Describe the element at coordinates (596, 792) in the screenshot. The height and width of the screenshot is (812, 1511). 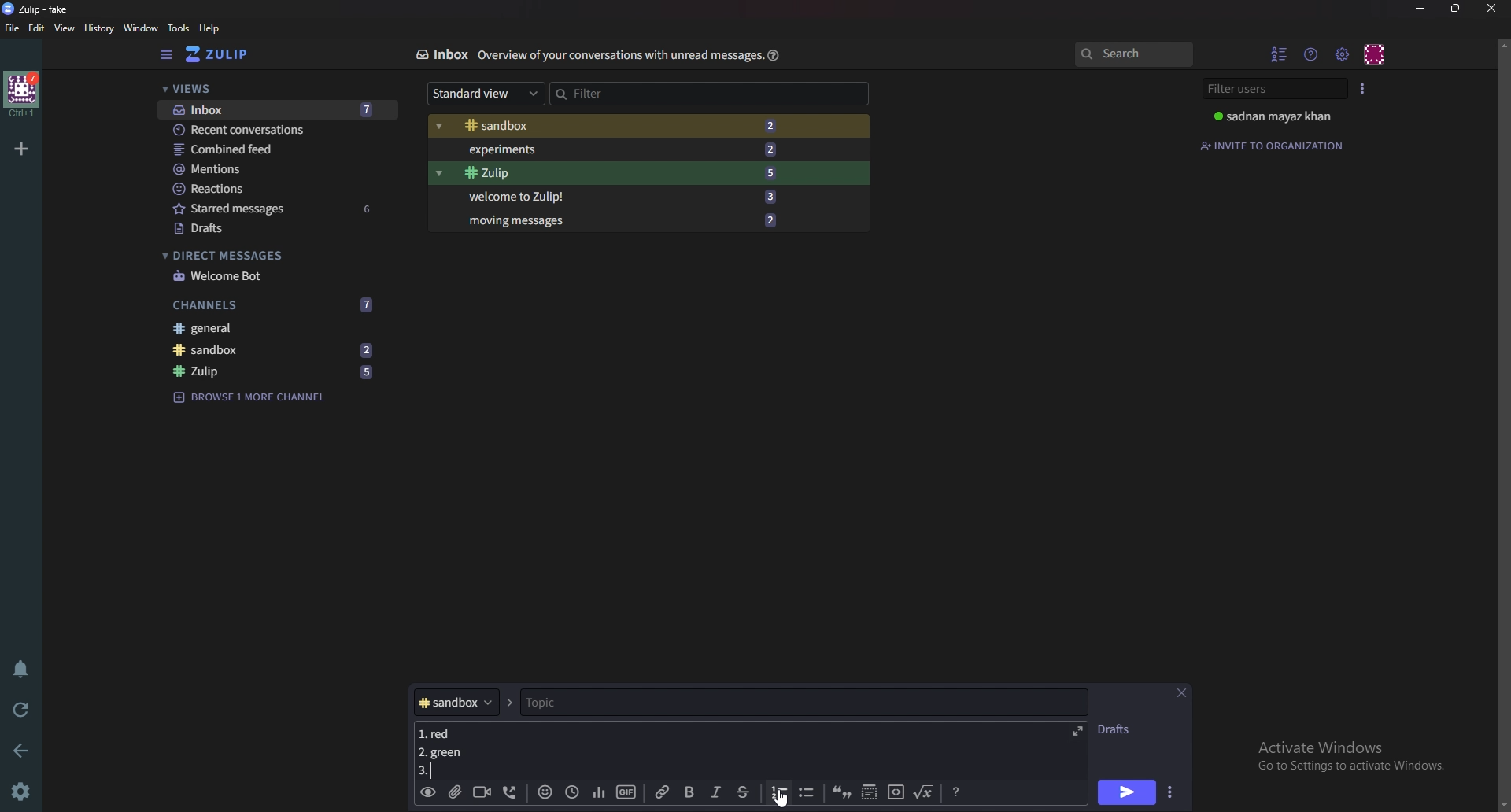
I see `poll` at that location.